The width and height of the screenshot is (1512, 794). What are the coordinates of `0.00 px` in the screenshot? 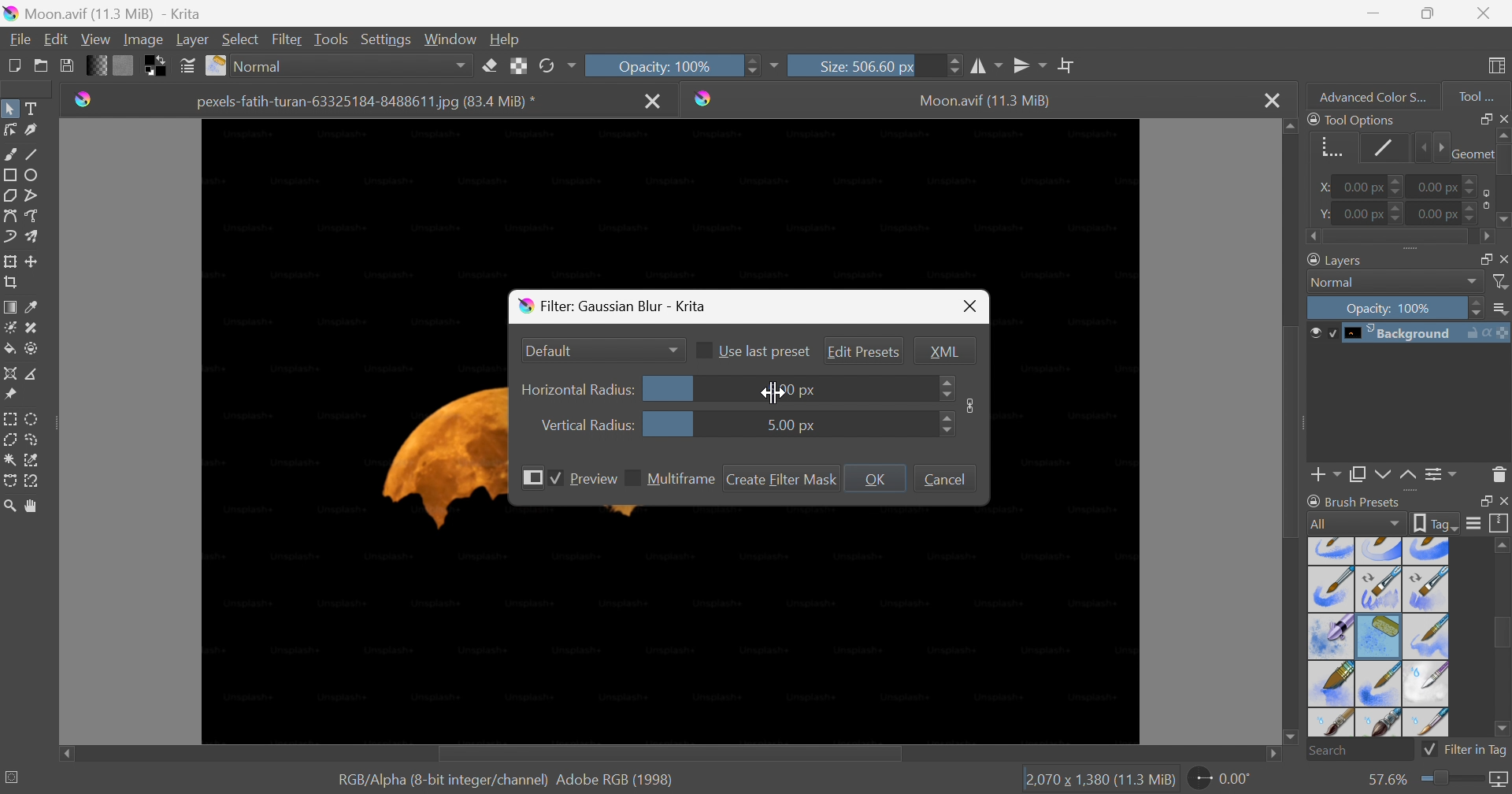 It's located at (1451, 213).